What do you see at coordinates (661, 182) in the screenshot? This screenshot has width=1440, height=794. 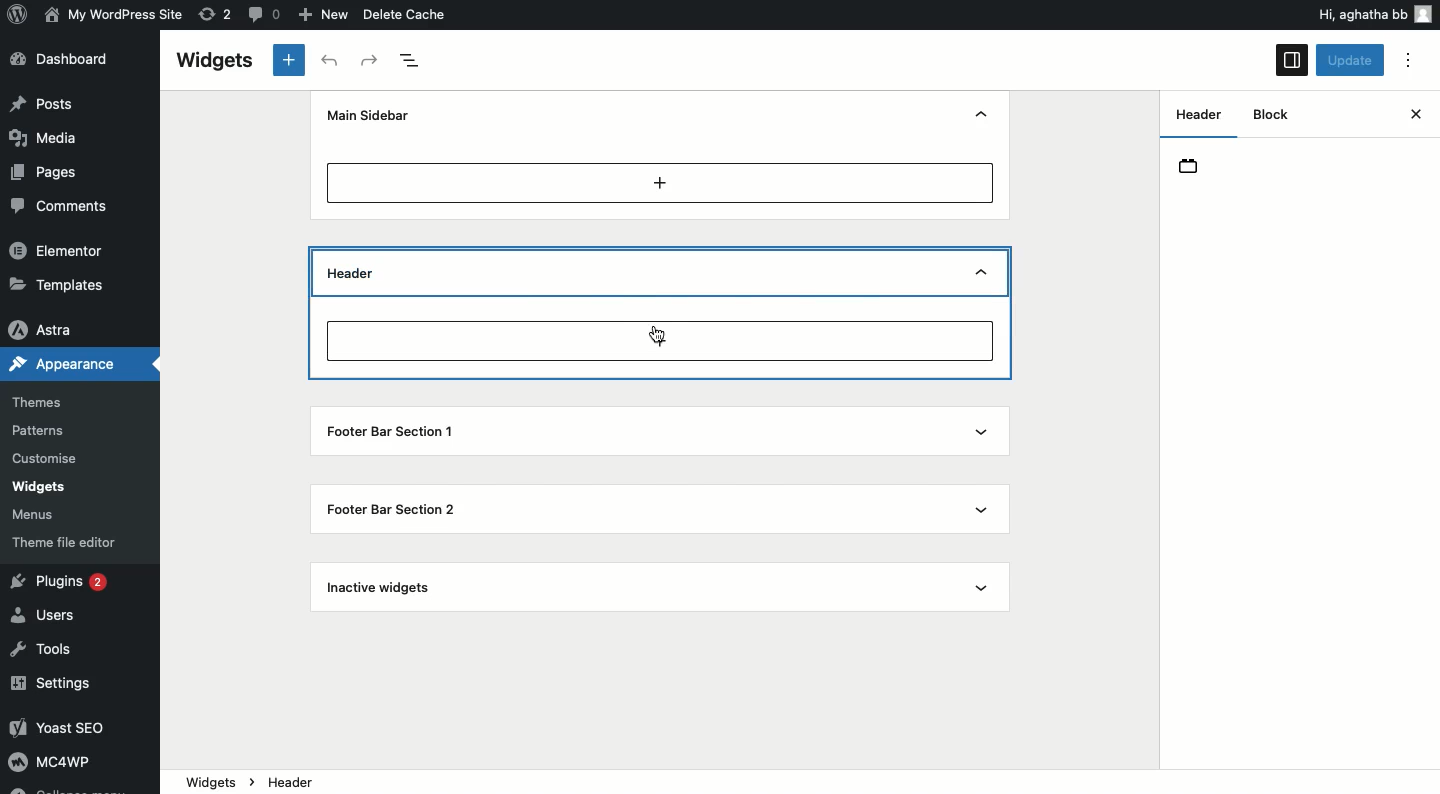 I see `Add` at bounding box center [661, 182].